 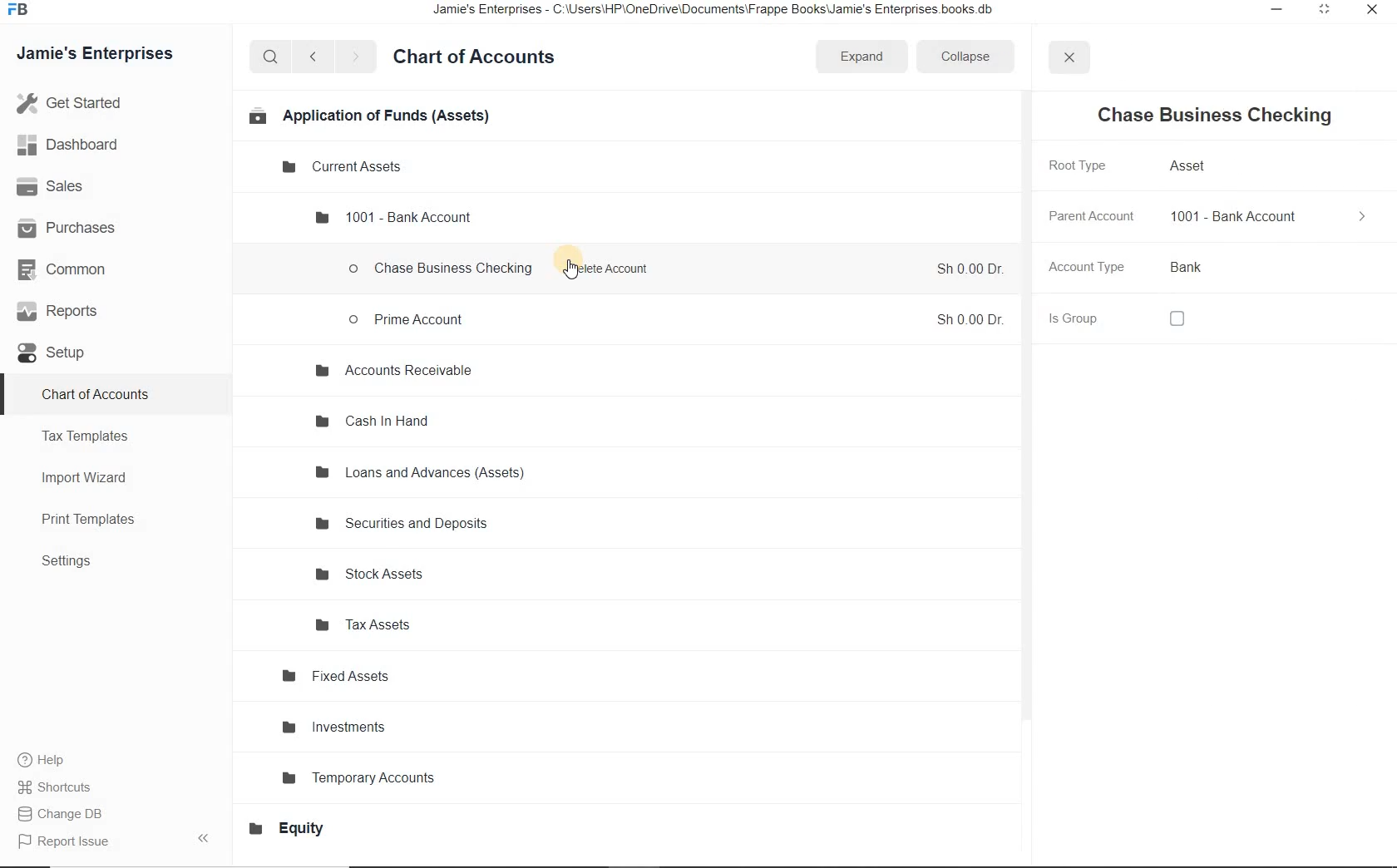 What do you see at coordinates (68, 842) in the screenshot?
I see `Report Issue` at bounding box center [68, 842].